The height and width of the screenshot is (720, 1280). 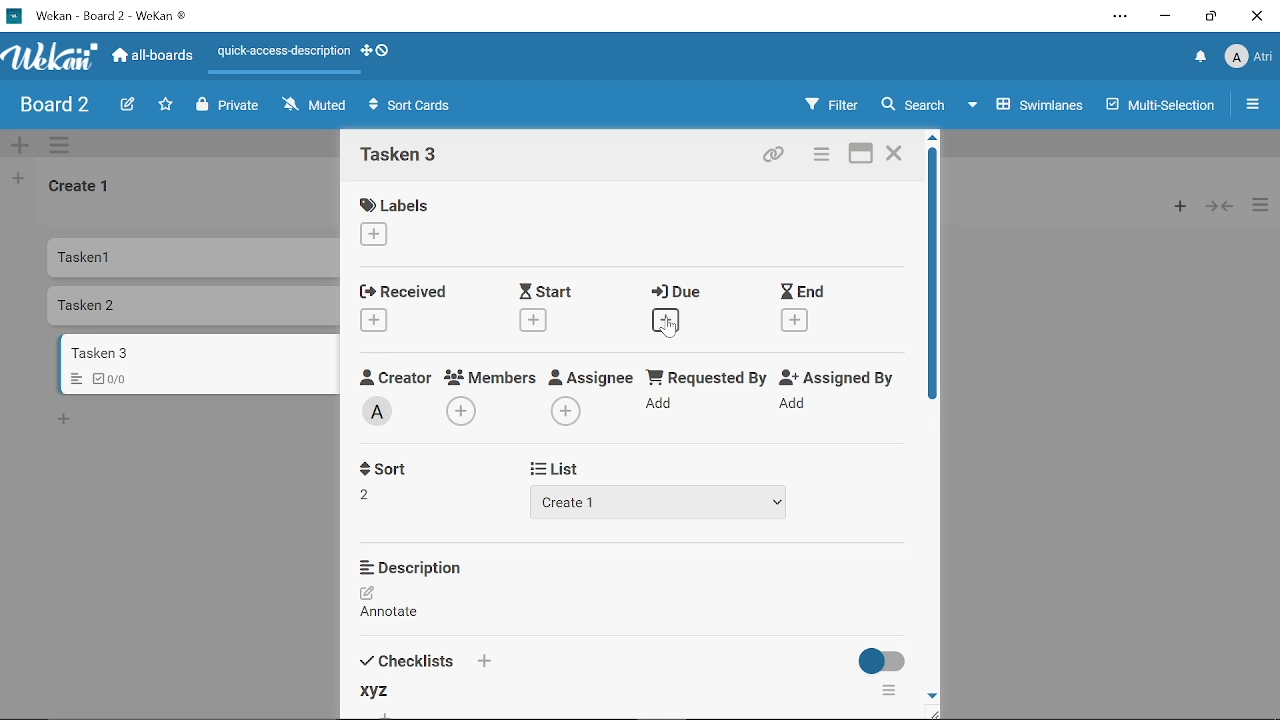 What do you see at coordinates (835, 376) in the screenshot?
I see `Assigned by` at bounding box center [835, 376].